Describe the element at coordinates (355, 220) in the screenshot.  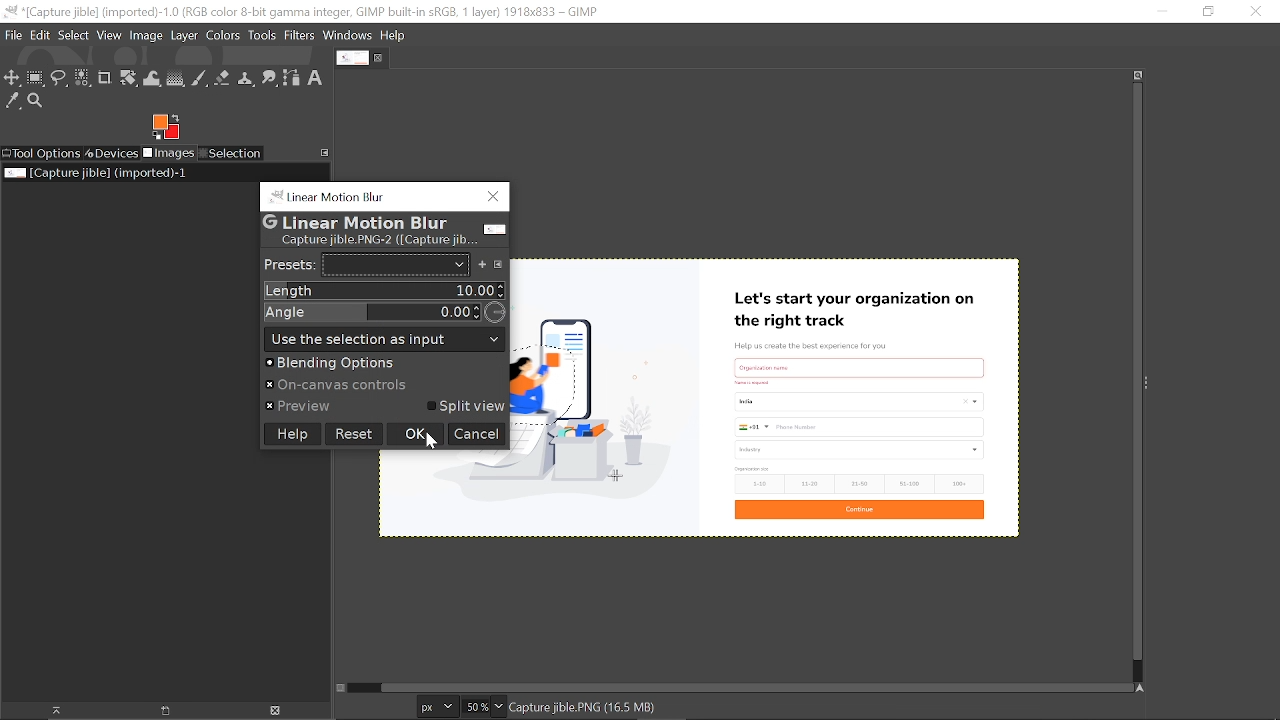
I see `G Linear Motion Blur` at that location.